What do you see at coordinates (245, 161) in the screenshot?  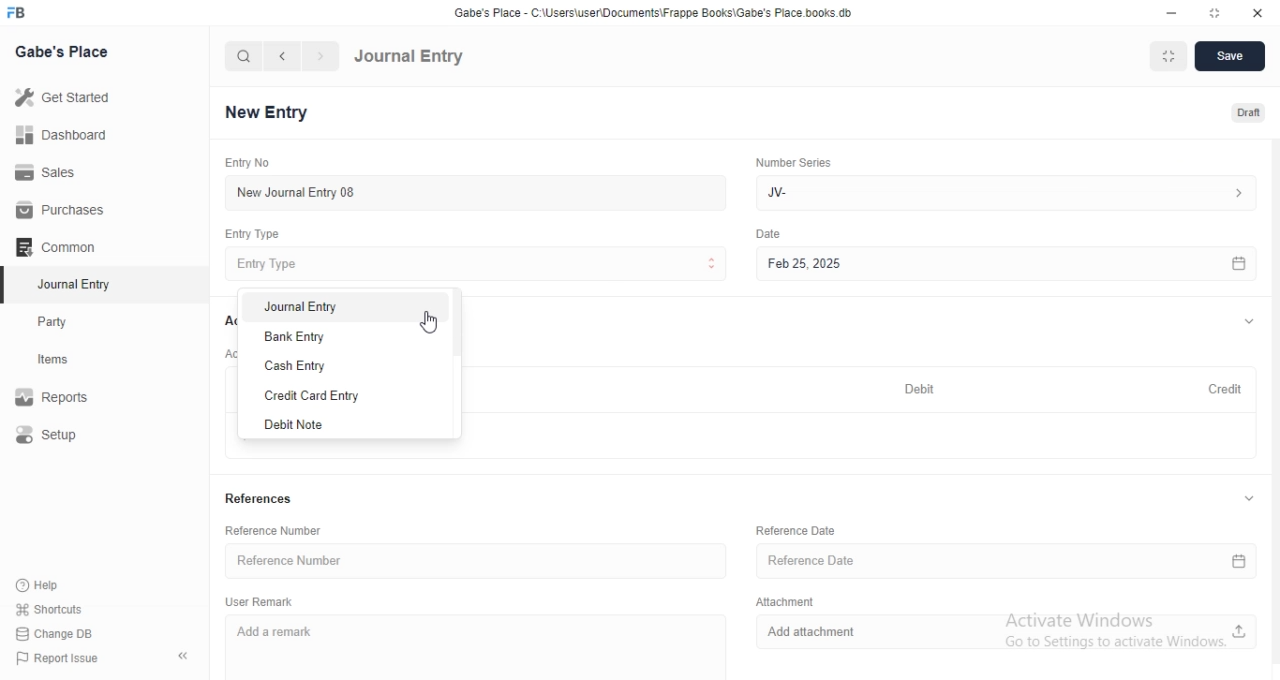 I see `Entry No` at bounding box center [245, 161].